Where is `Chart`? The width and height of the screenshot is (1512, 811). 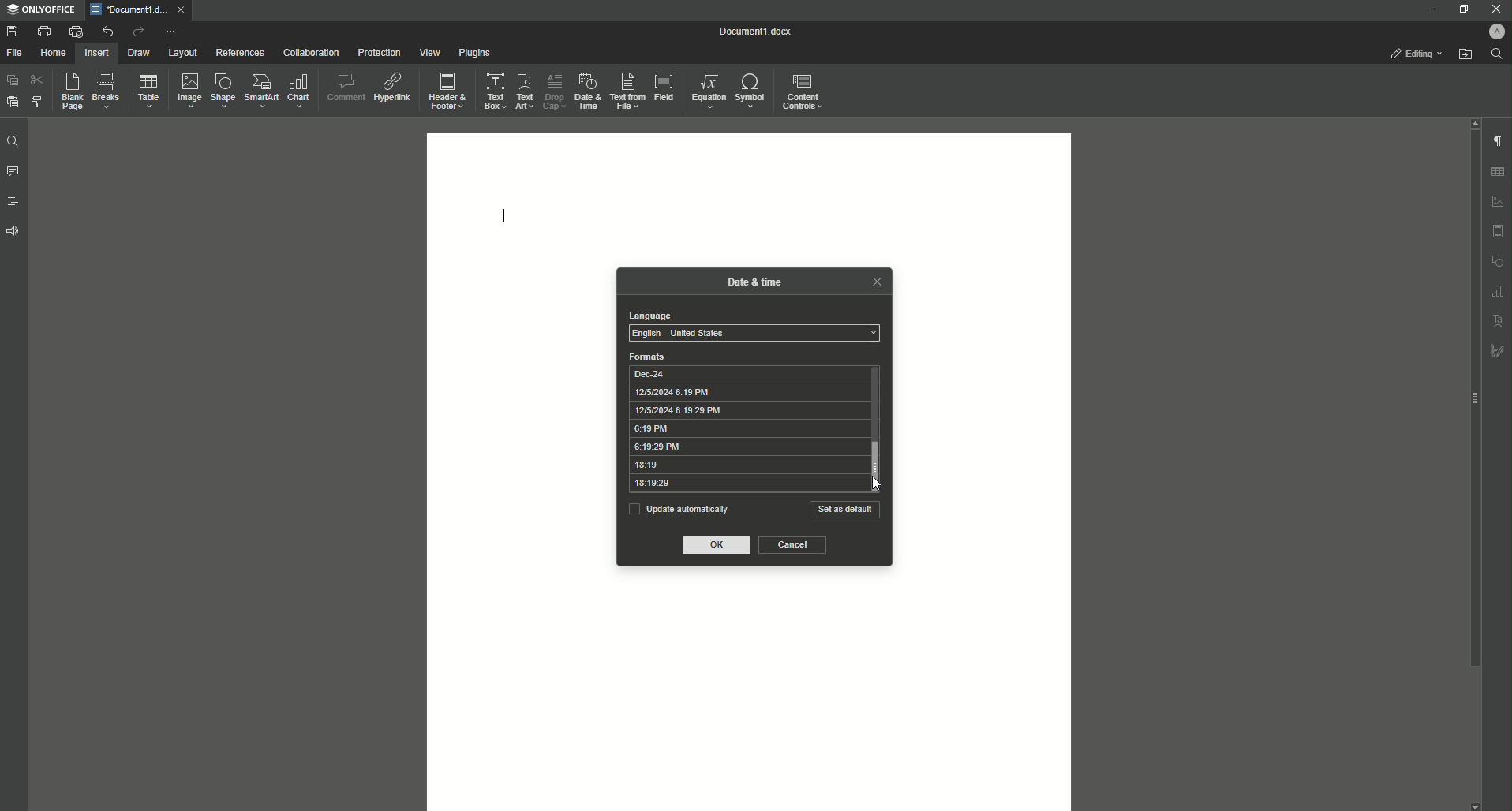
Chart is located at coordinates (301, 91).